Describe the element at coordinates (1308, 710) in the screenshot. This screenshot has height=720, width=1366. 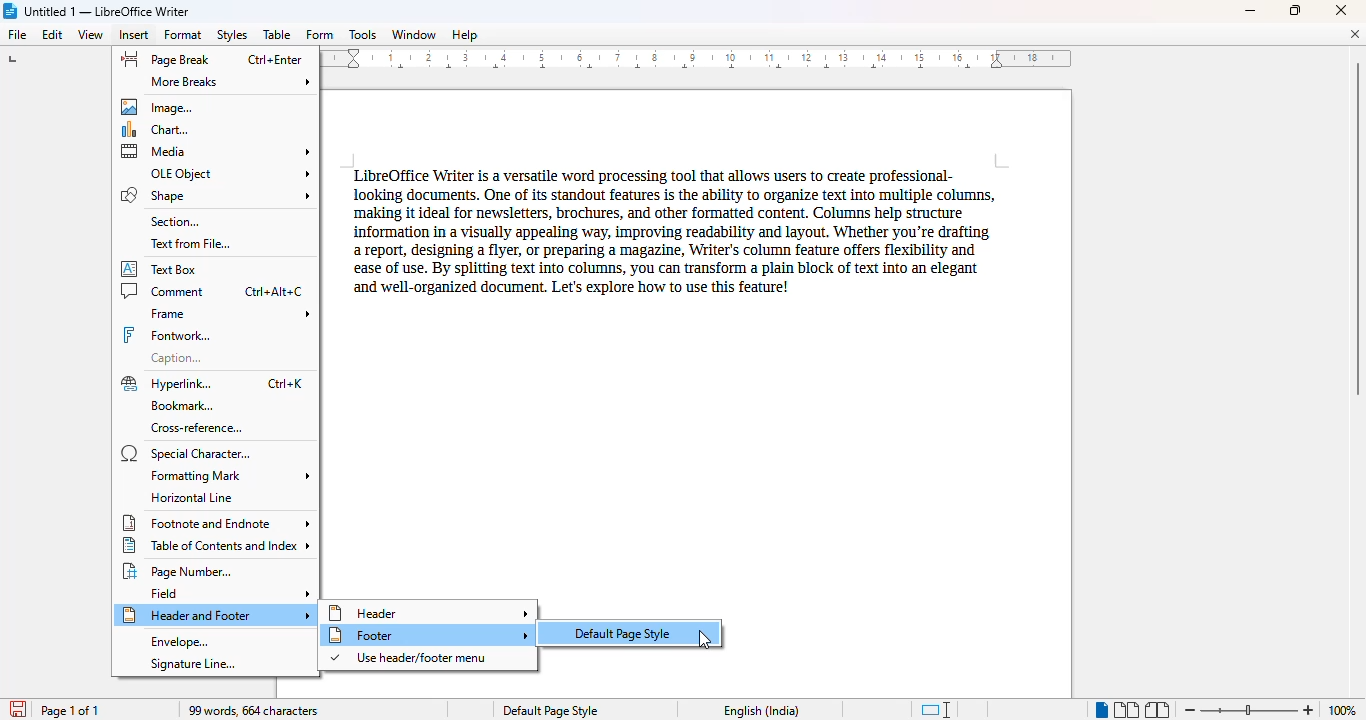
I see `zoom in` at that location.